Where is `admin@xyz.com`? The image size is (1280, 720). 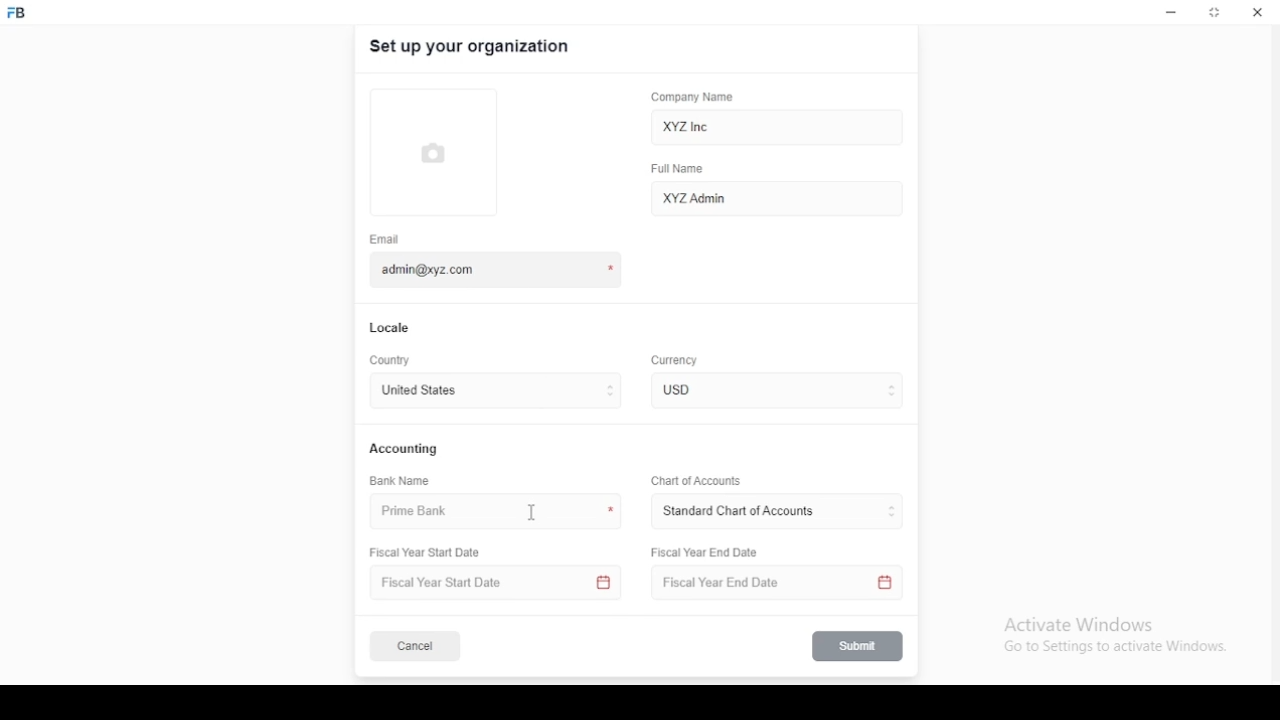
admin@xyz.com is located at coordinates (494, 268).